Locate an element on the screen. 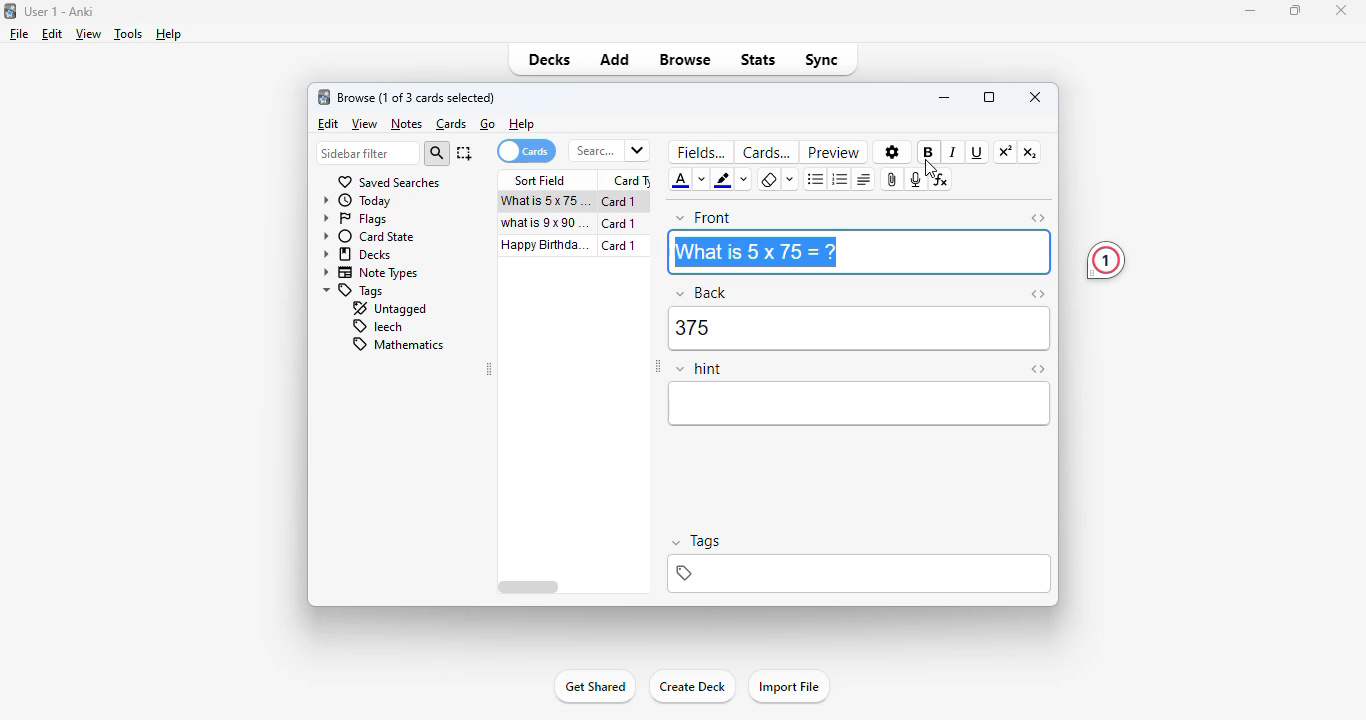  go is located at coordinates (487, 124).